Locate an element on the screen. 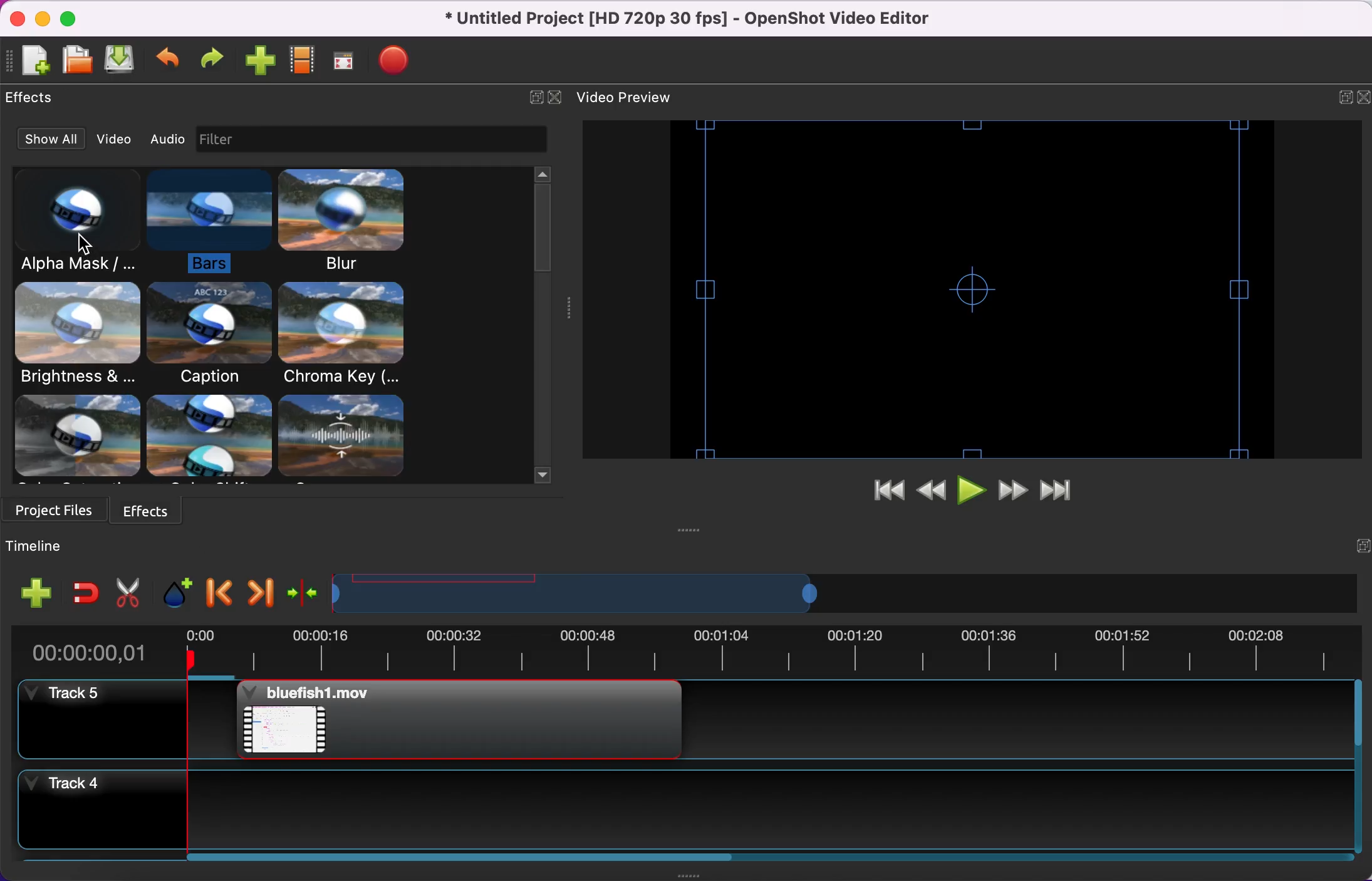 The height and width of the screenshot is (881, 1372). rewind is located at coordinates (932, 491).